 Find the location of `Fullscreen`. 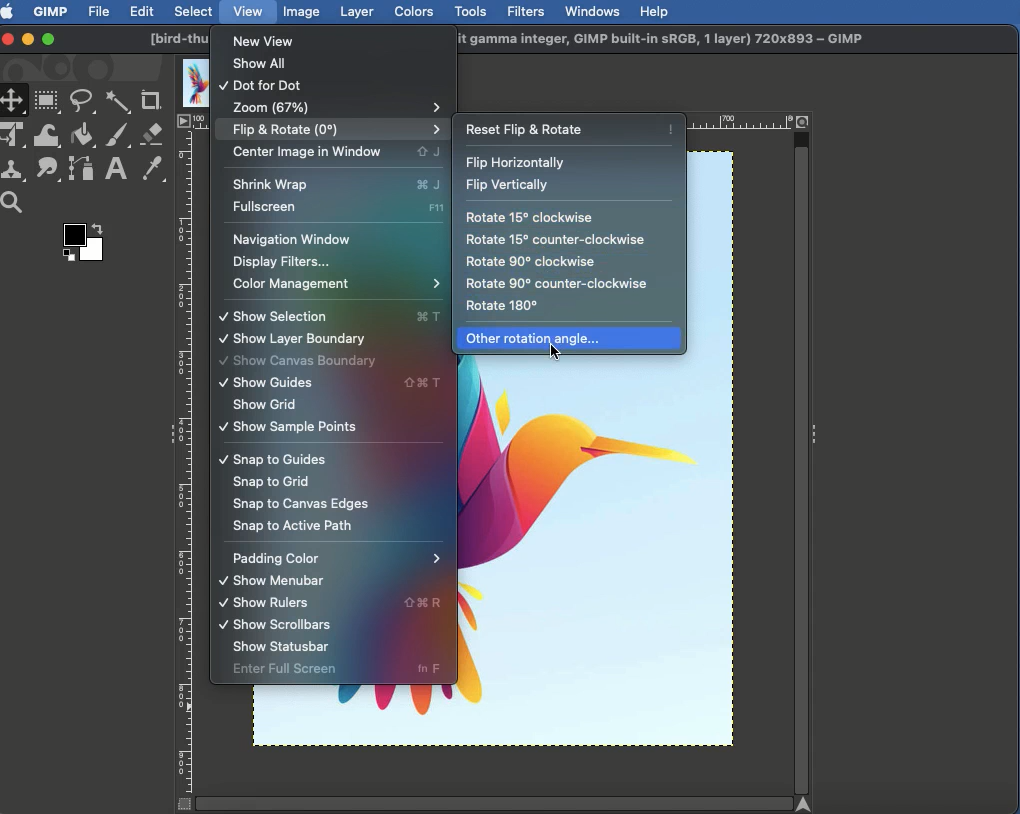

Fullscreen is located at coordinates (309, 209).